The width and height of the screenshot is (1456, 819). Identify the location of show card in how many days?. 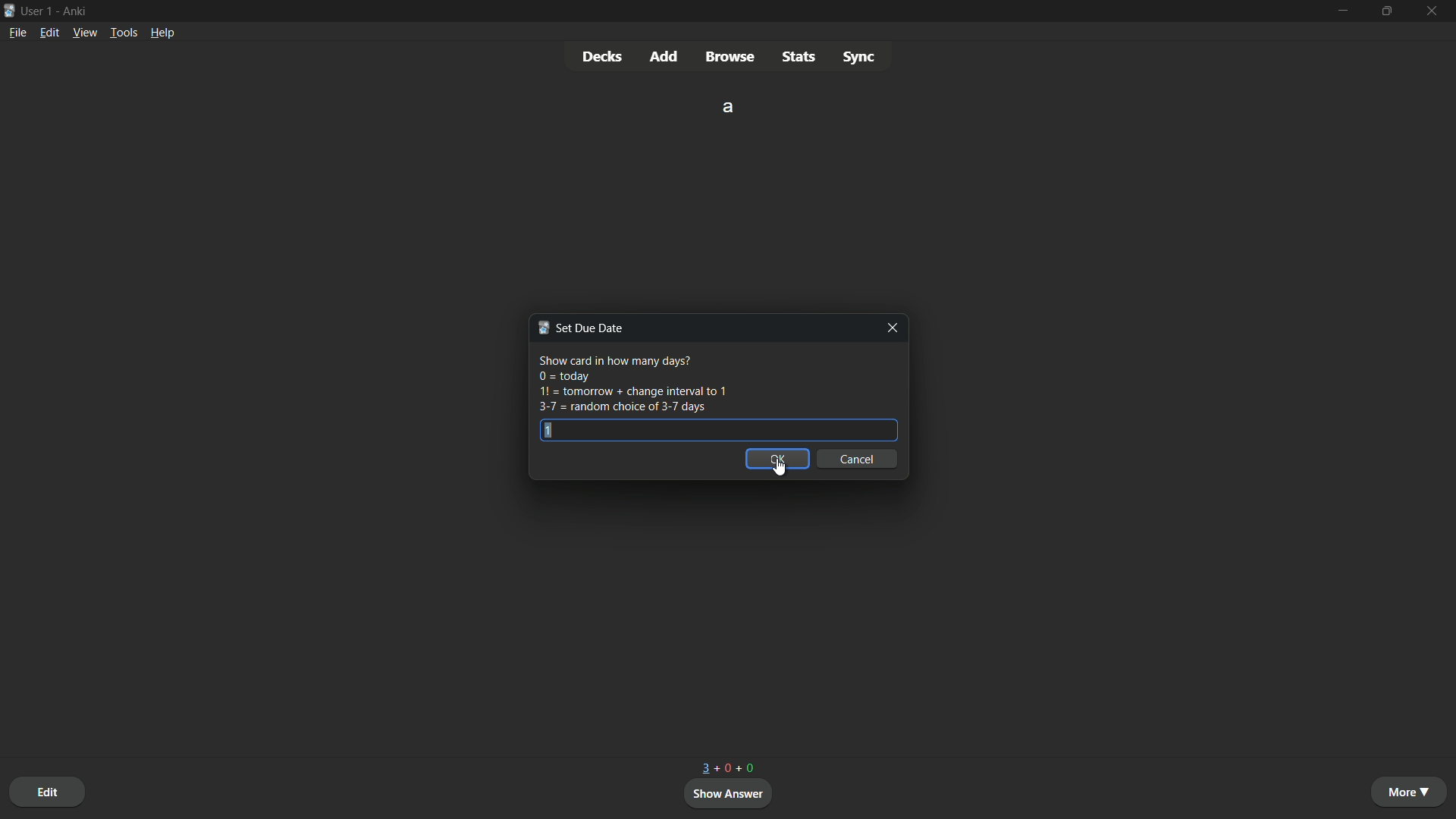
(613, 359).